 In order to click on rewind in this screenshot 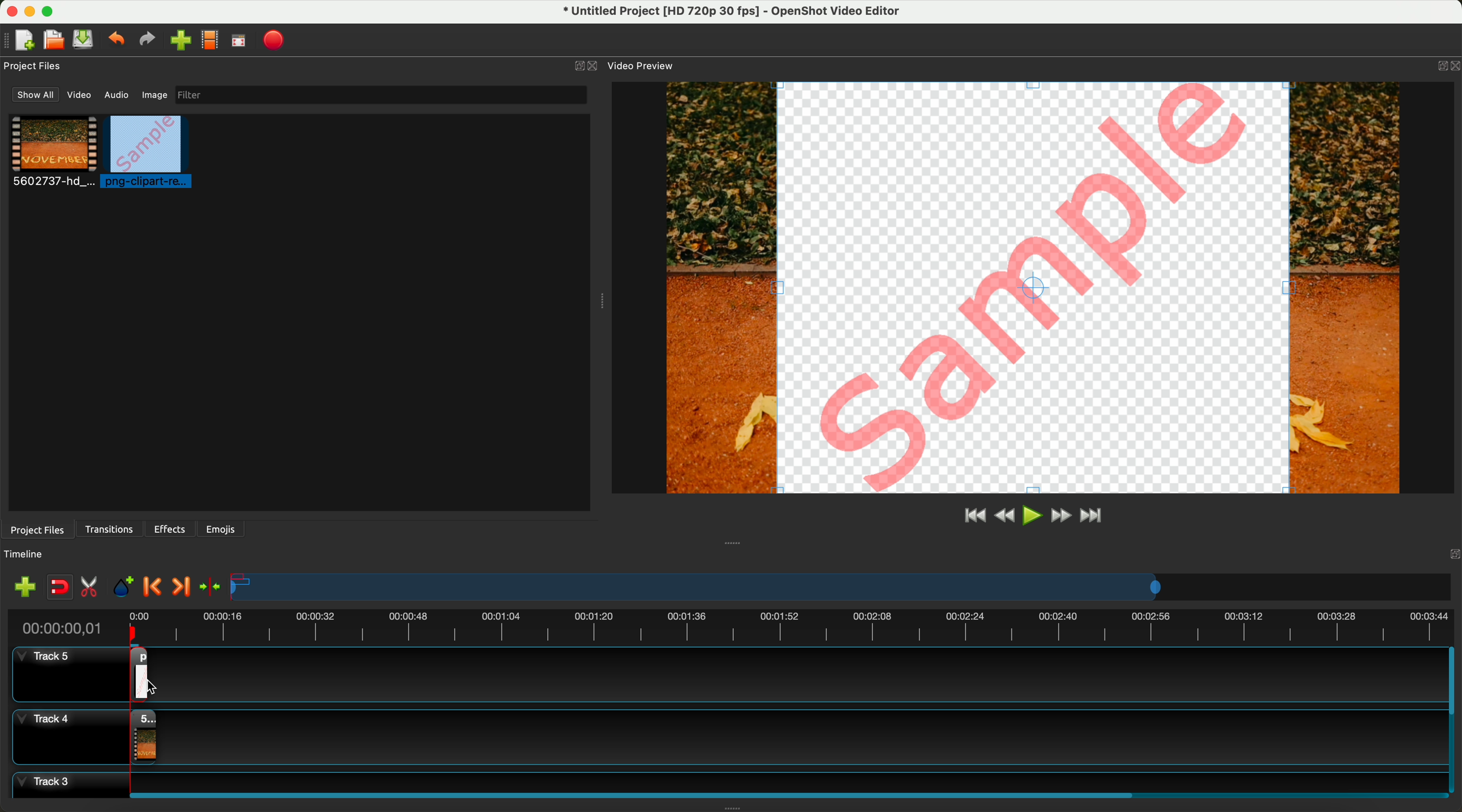, I will do `click(1003, 517)`.